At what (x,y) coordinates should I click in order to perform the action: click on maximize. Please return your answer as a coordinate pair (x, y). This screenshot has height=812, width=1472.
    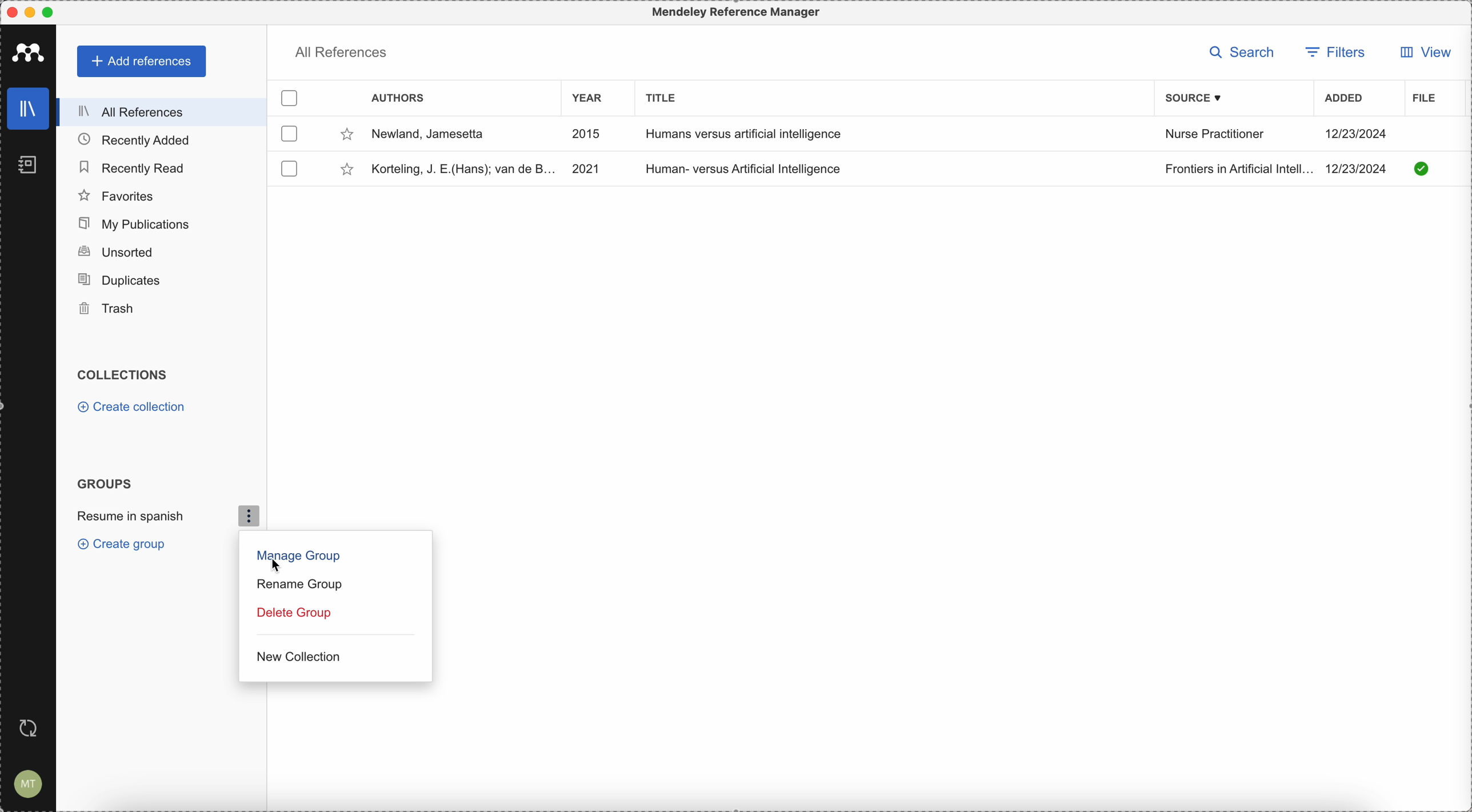
    Looking at the image, I should click on (53, 11).